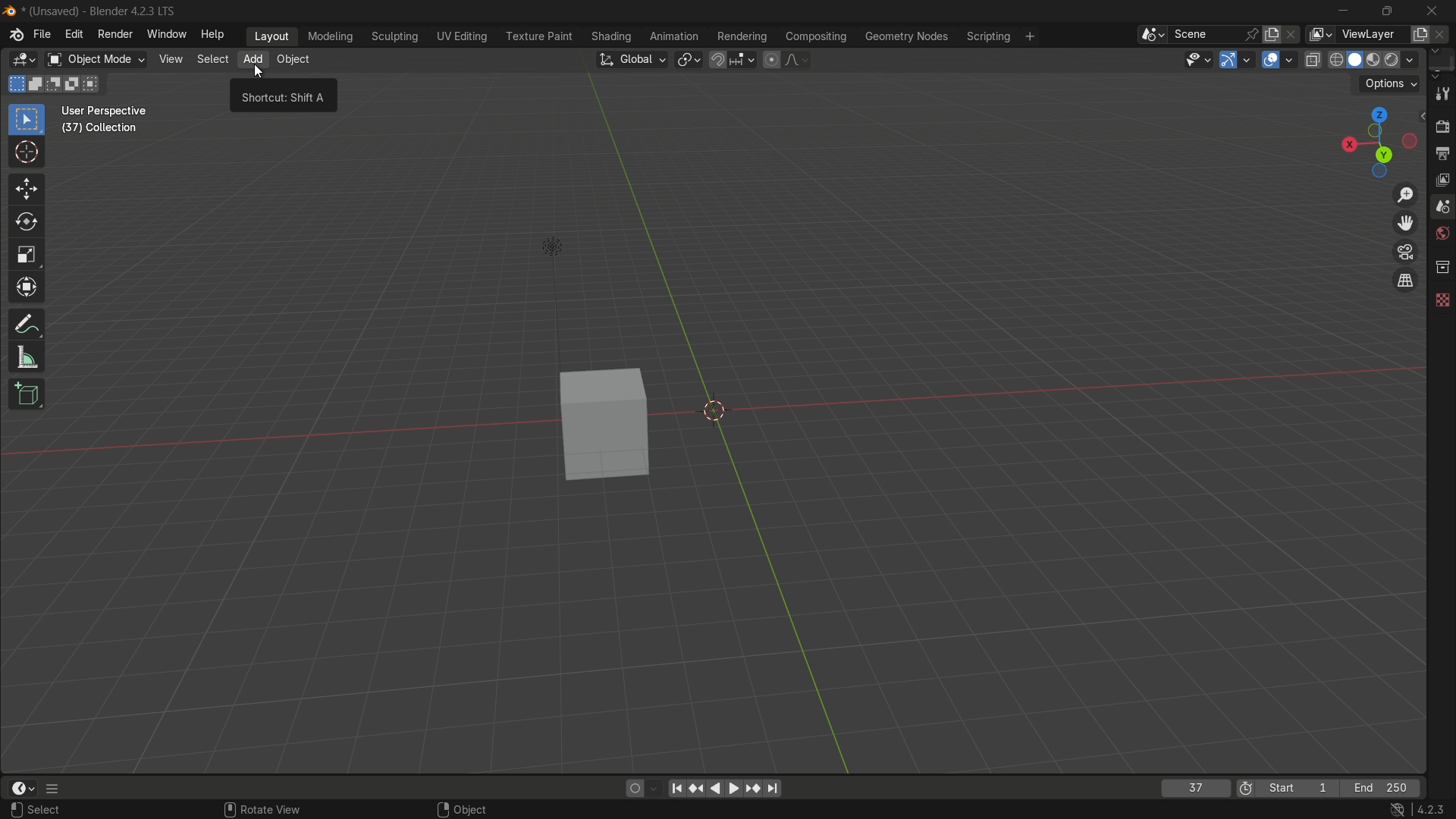  I want to click on move the view, so click(1405, 224).